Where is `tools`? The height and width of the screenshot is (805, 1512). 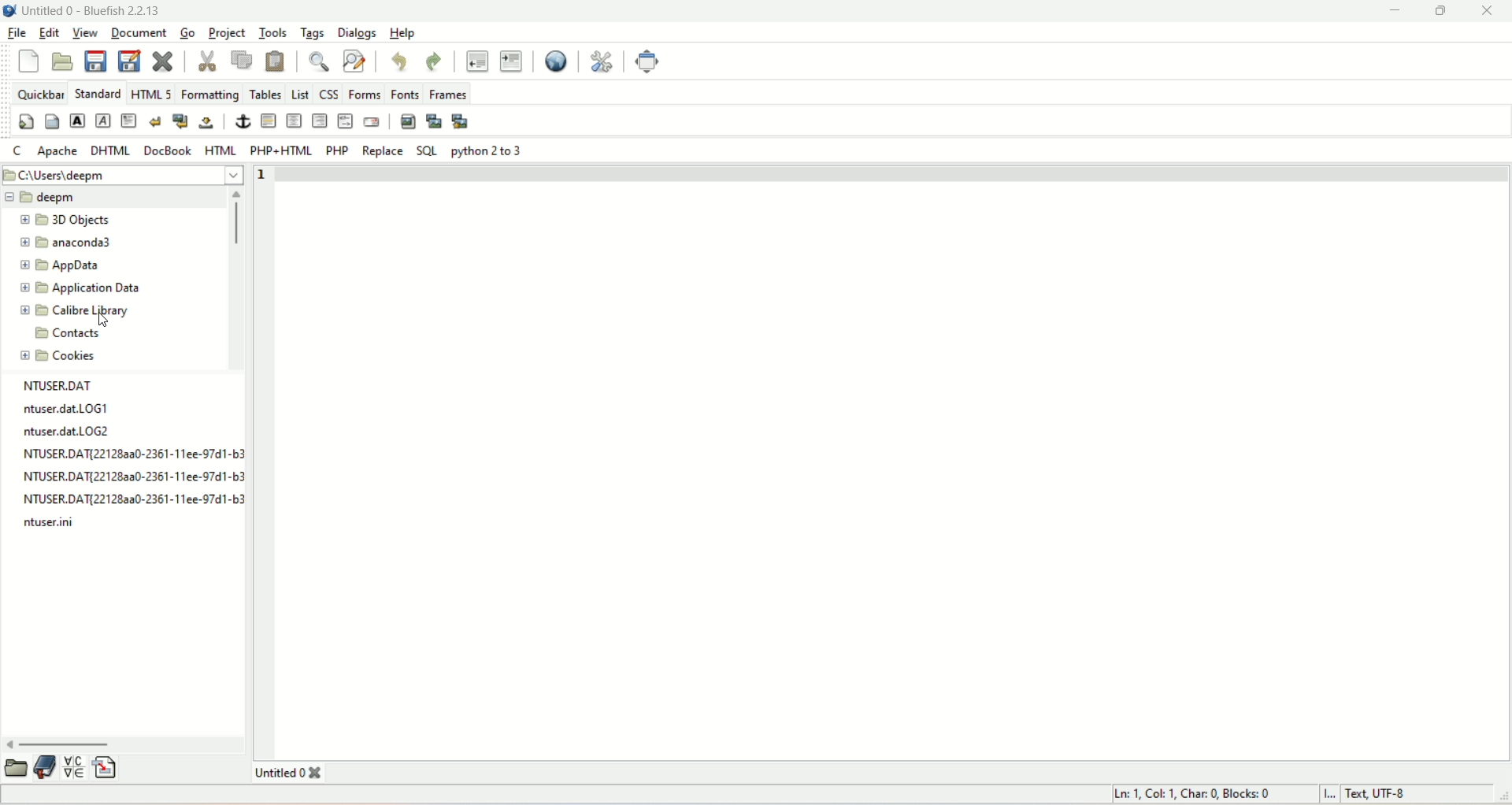 tools is located at coordinates (272, 32).